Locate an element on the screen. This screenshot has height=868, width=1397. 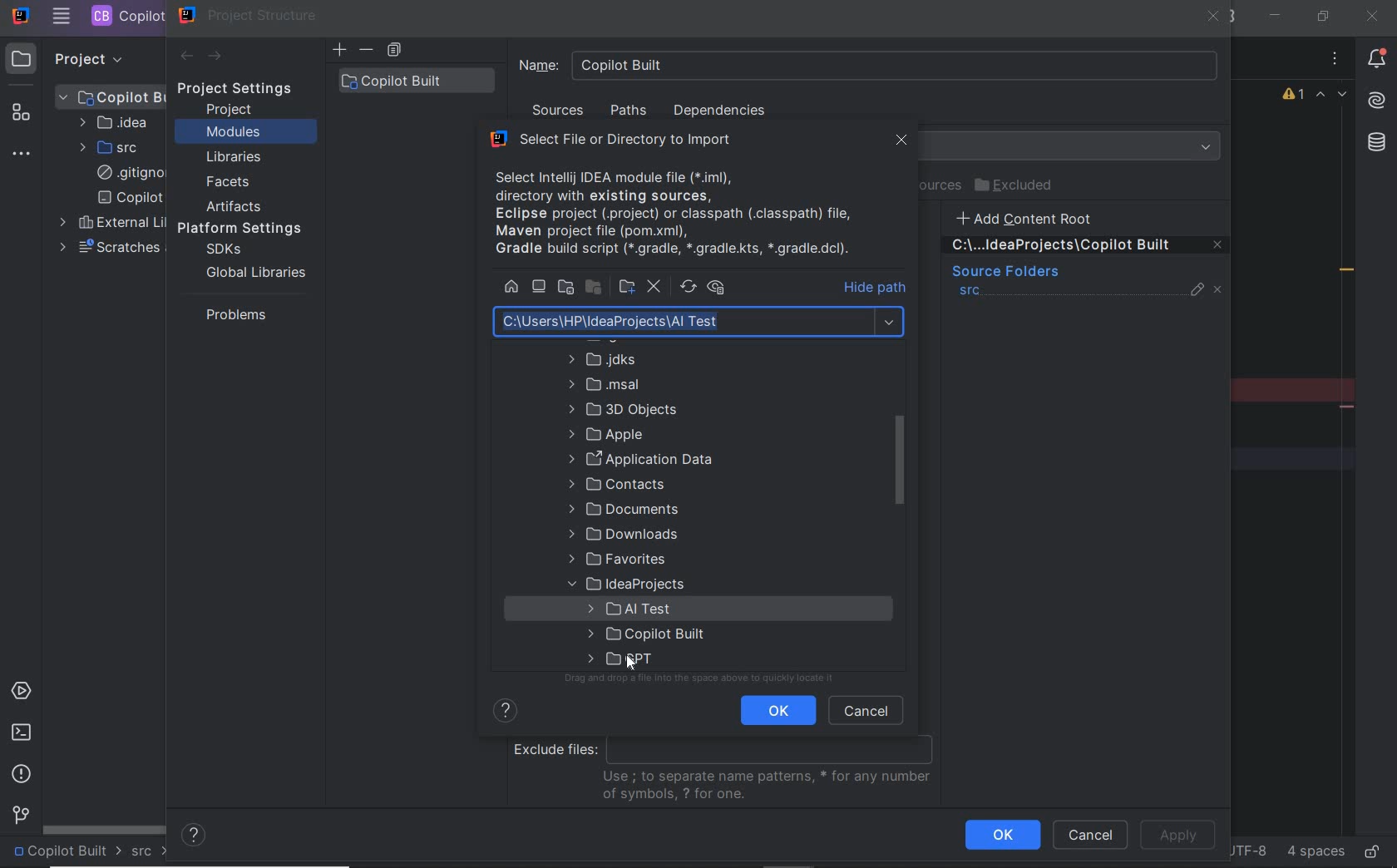
make file ready only is located at coordinates (1371, 851).